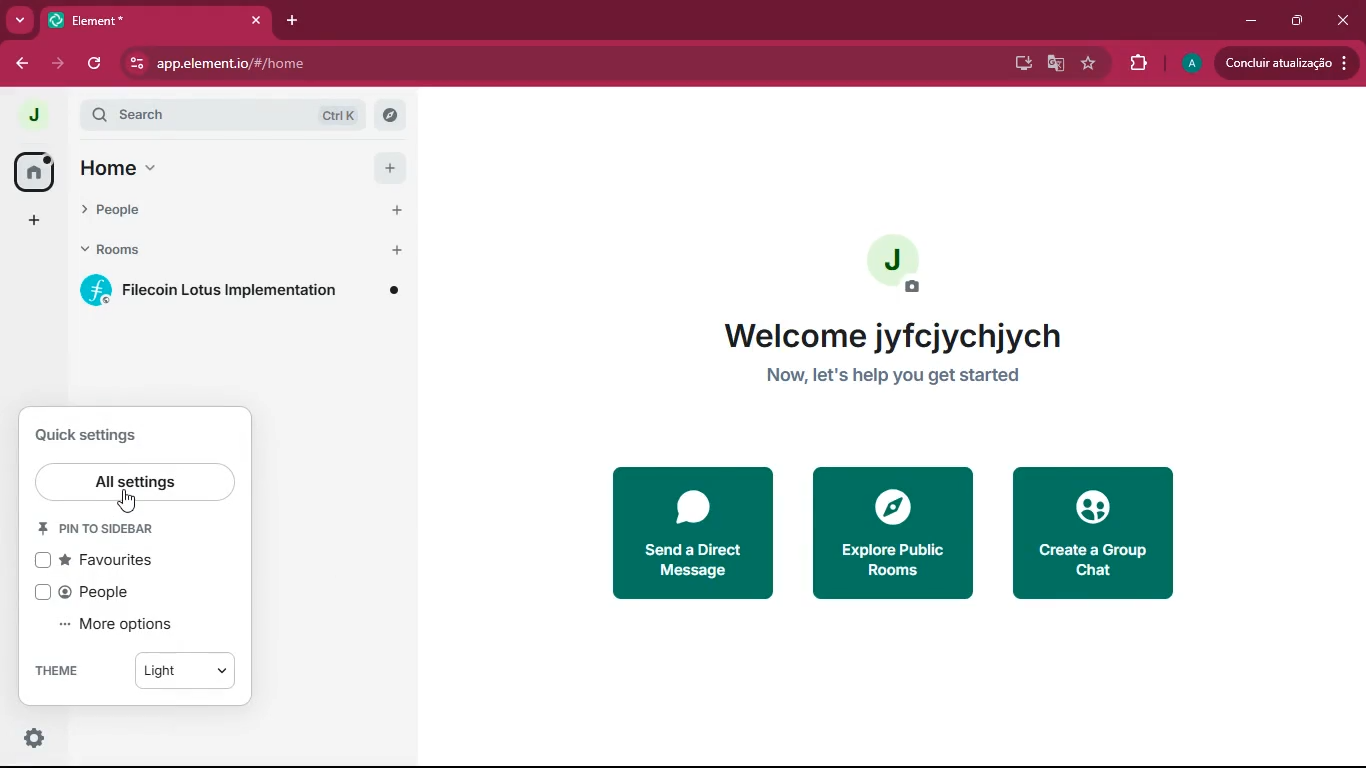 The width and height of the screenshot is (1366, 768). Describe the element at coordinates (212, 251) in the screenshot. I see `rooms` at that location.